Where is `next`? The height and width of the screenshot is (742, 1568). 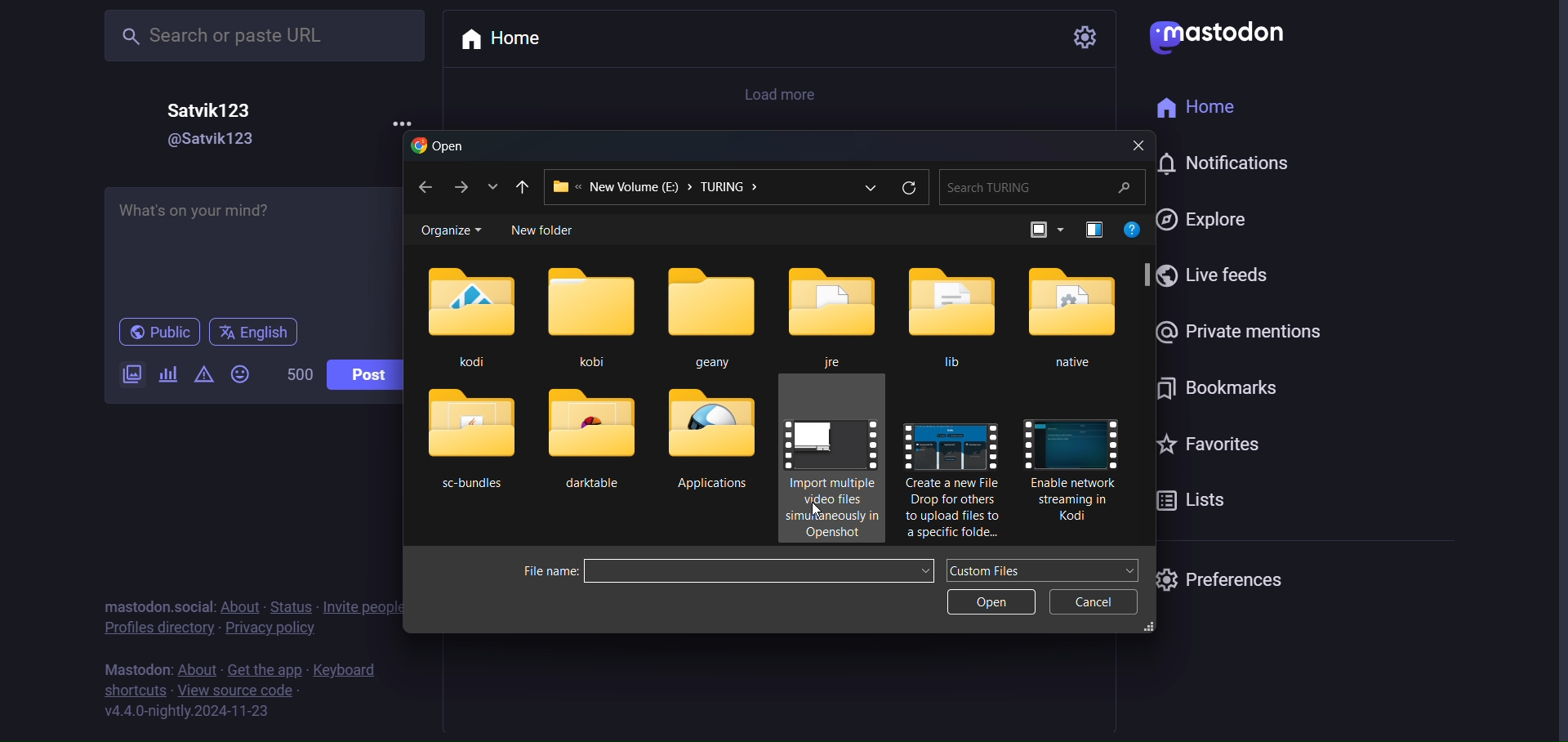
next is located at coordinates (458, 186).